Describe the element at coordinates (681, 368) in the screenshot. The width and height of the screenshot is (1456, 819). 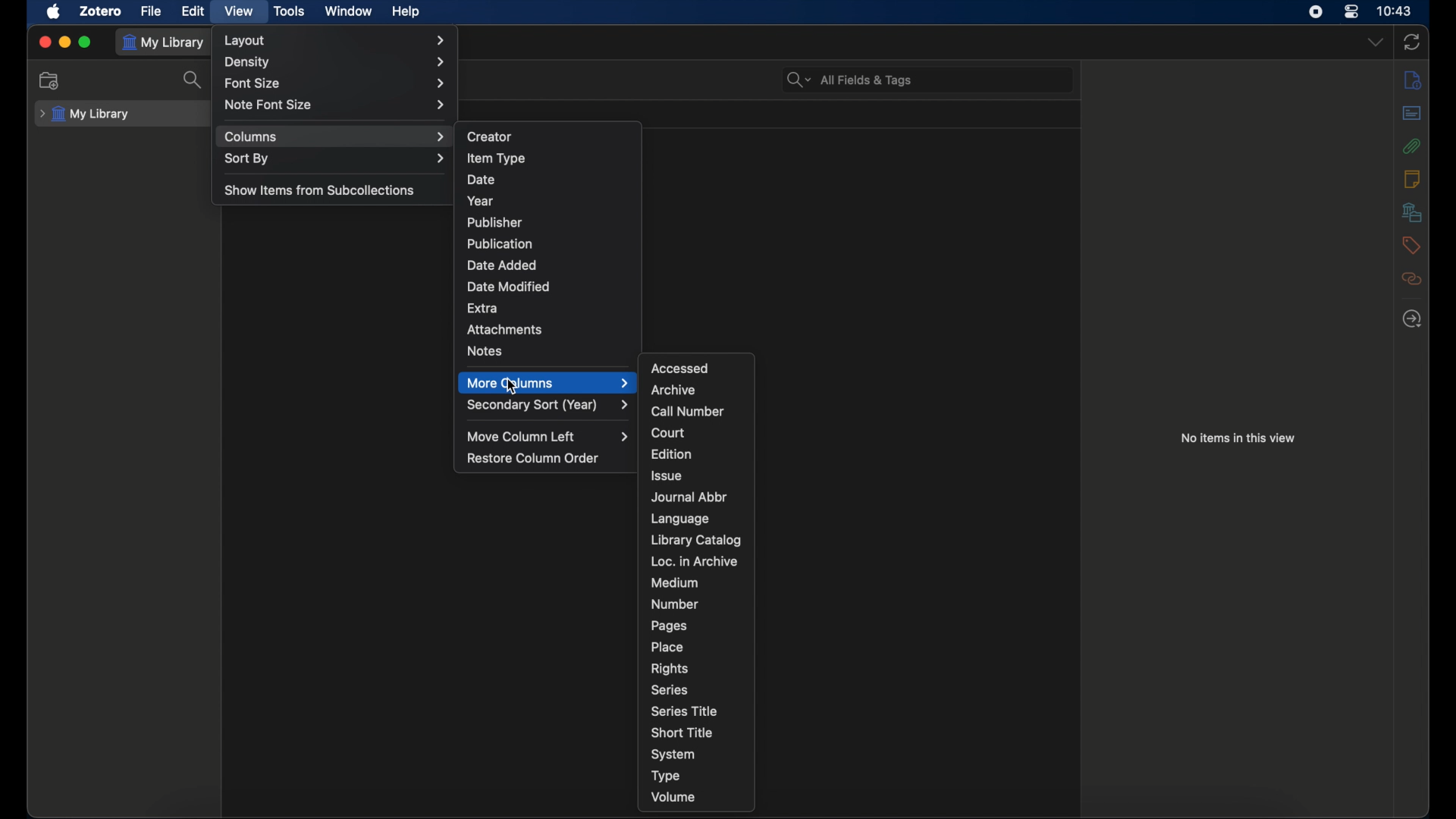
I see `accessed` at that location.